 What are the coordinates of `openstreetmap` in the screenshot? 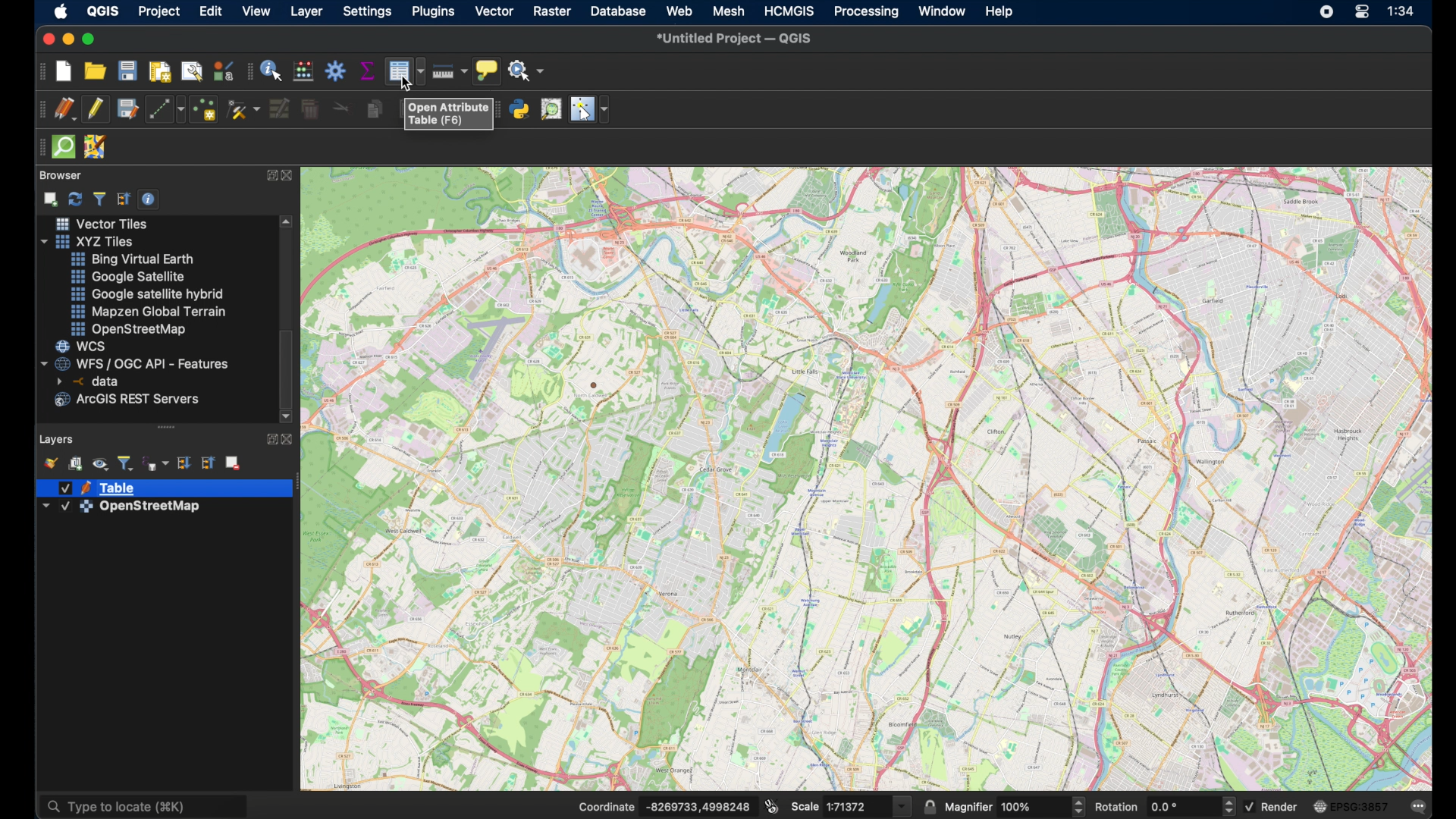 It's located at (121, 509).